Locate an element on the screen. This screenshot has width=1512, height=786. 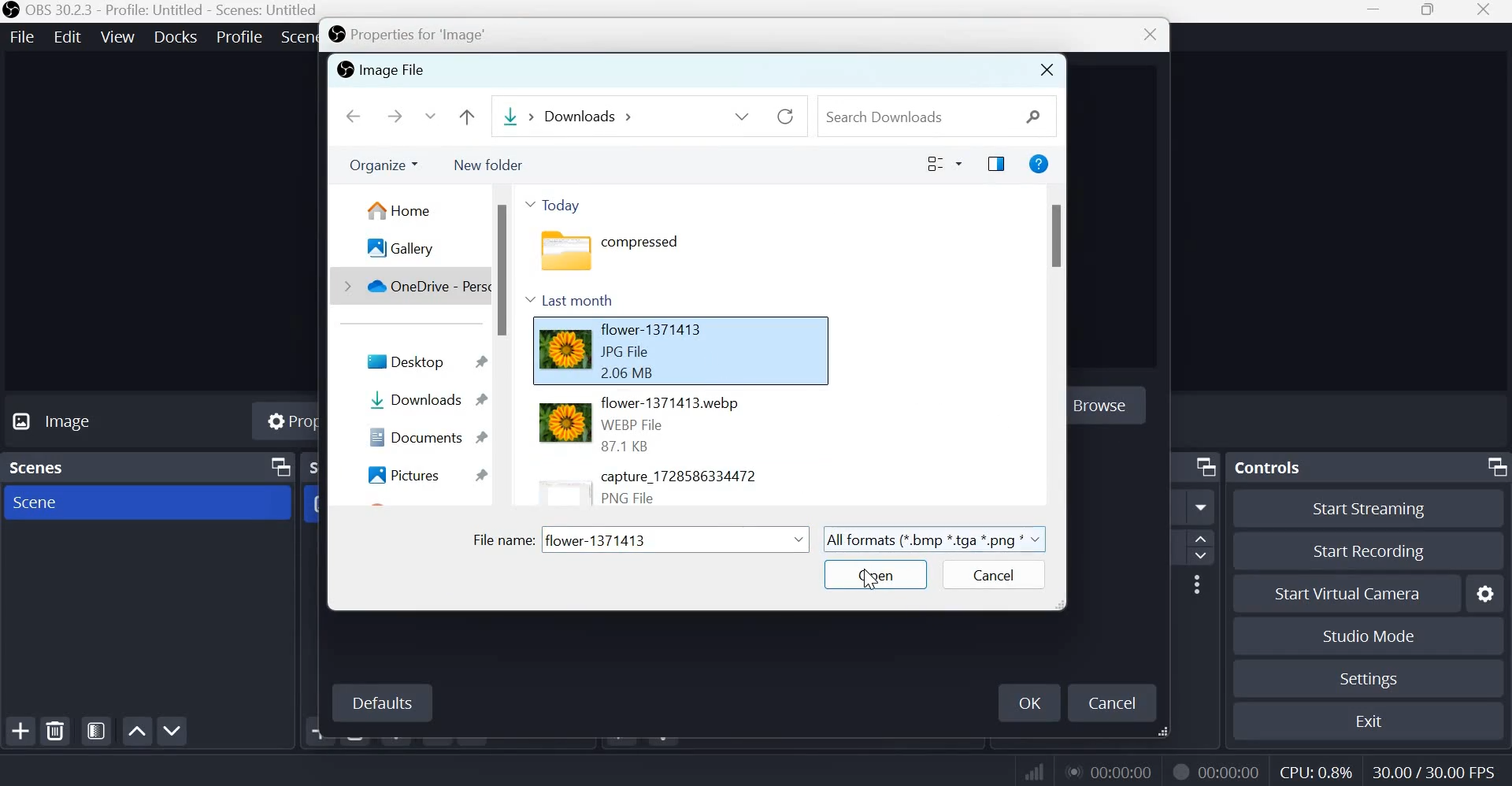
Dock Options icon is located at coordinates (1493, 468).